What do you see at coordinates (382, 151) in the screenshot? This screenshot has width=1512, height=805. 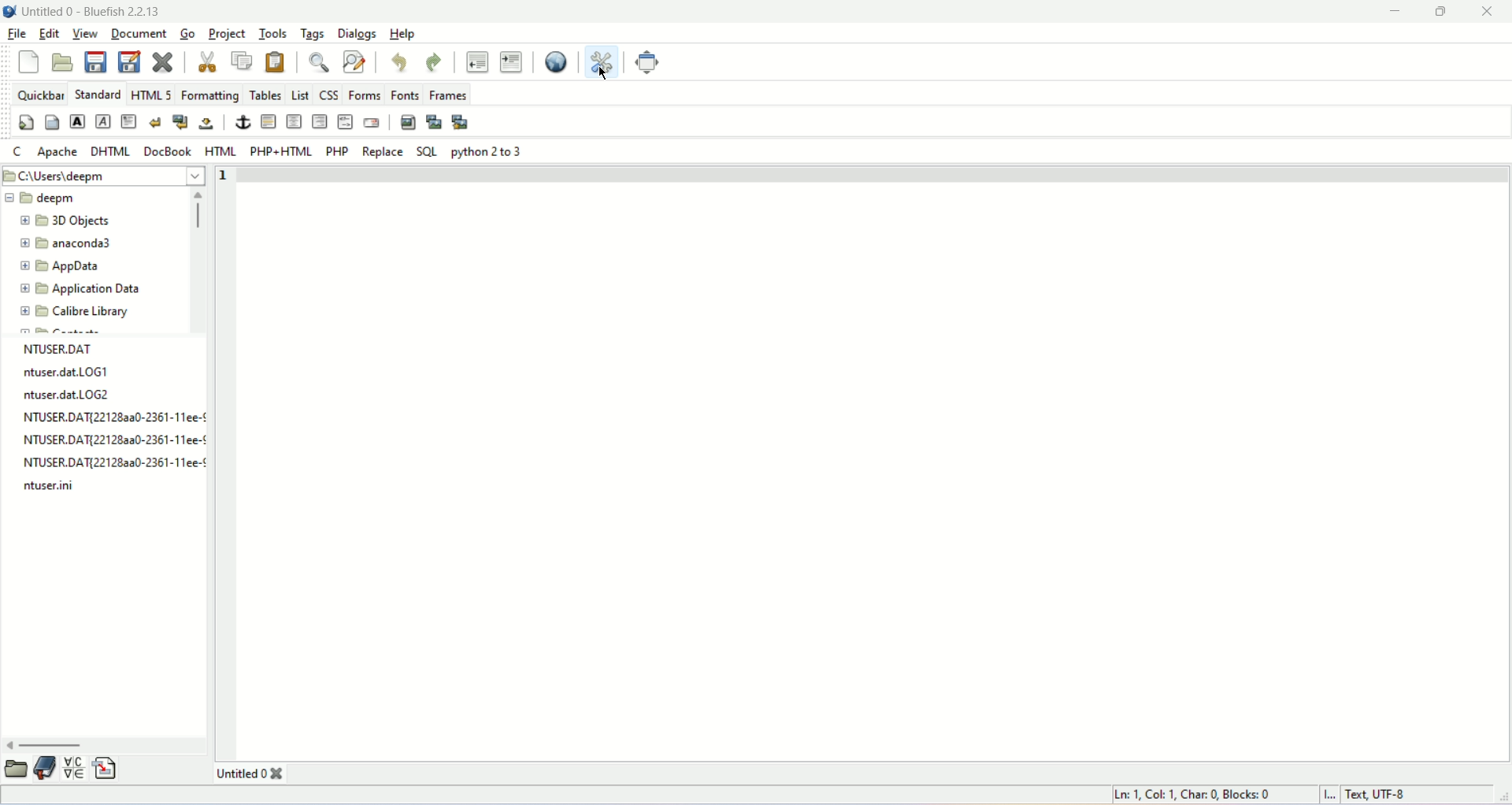 I see `REPLACE` at bounding box center [382, 151].